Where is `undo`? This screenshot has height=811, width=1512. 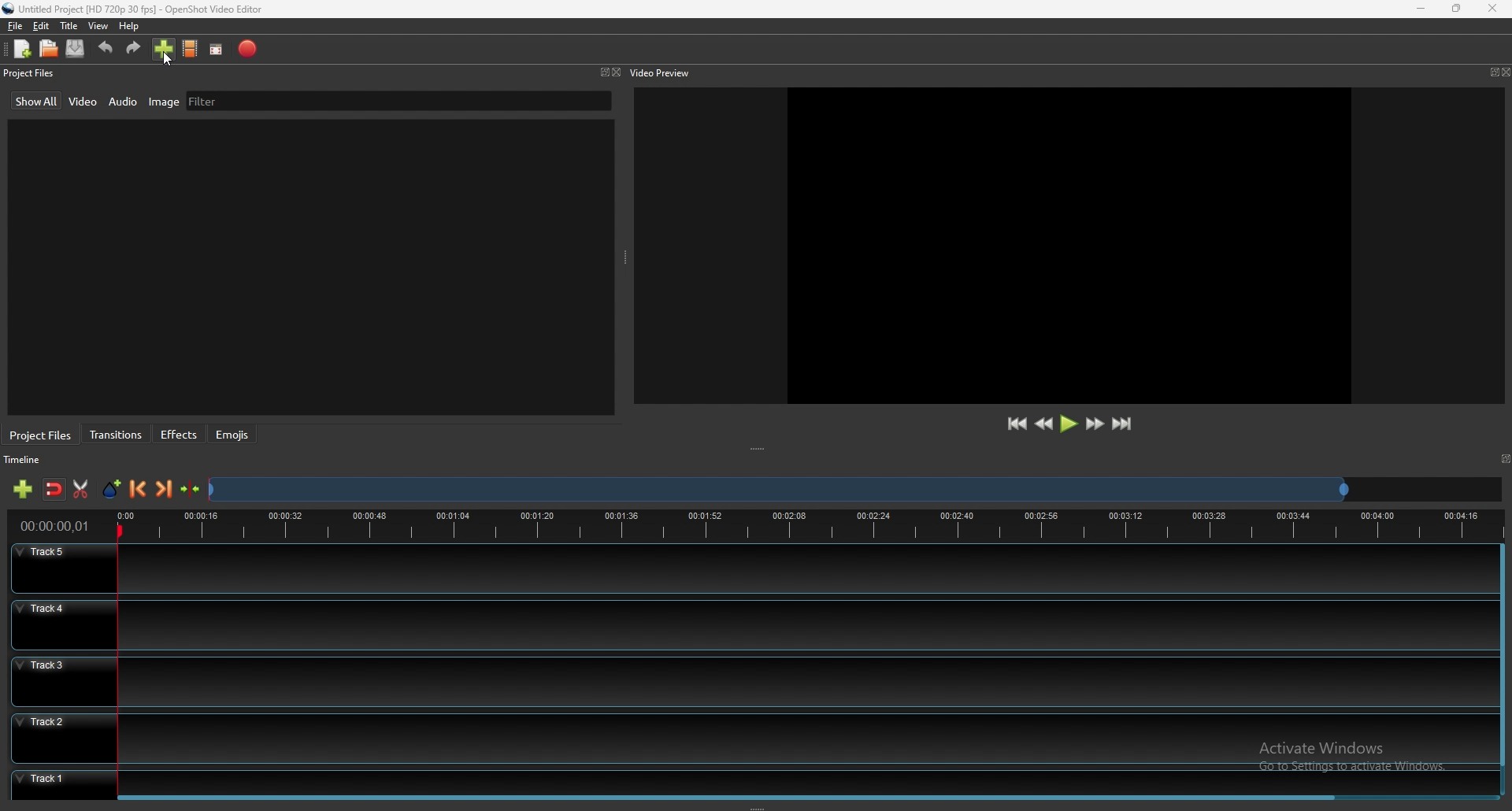
undo is located at coordinates (106, 48).